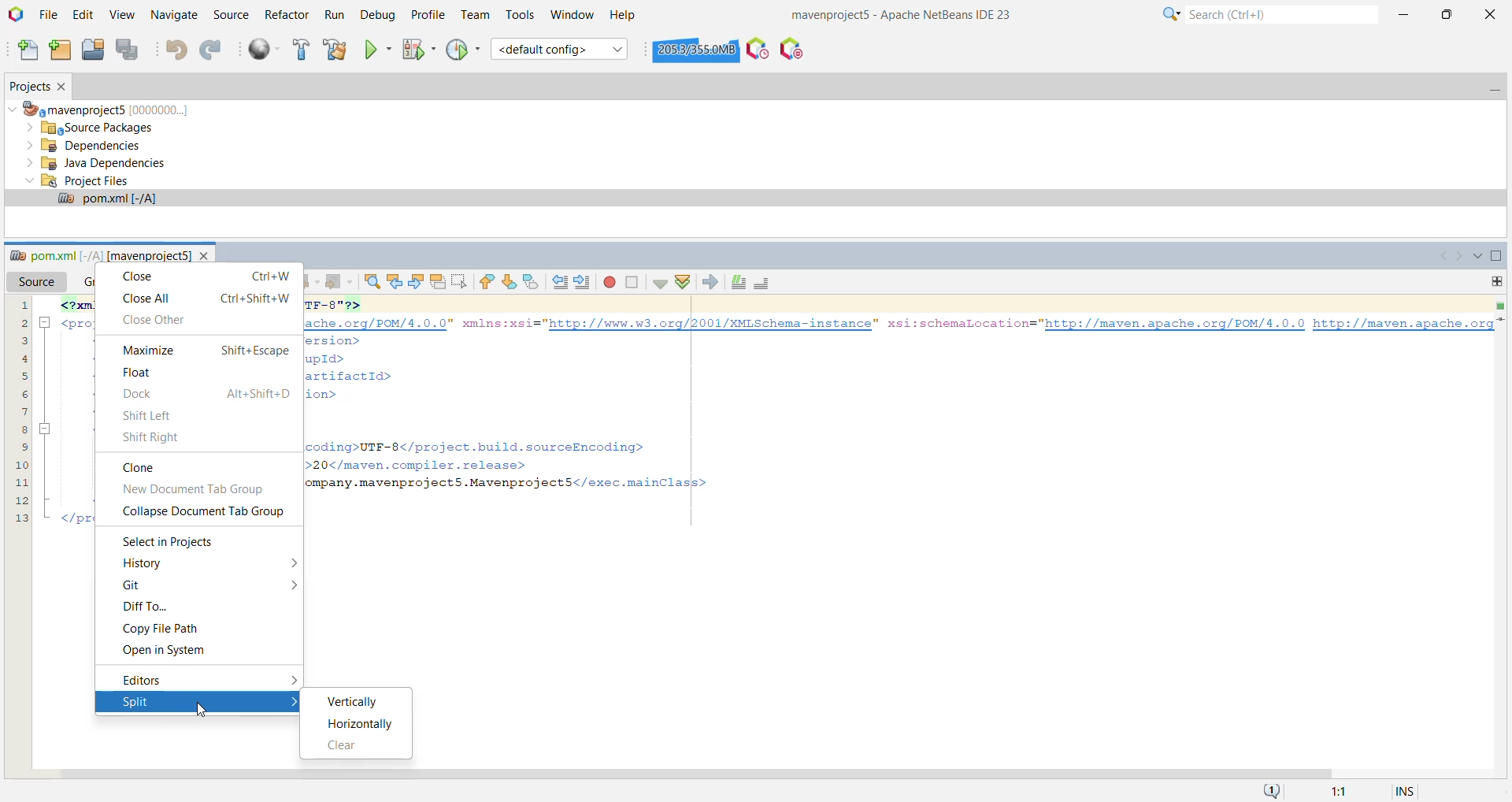 The image size is (1512, 802). What do you see at coordinates (463, 50) in the screenshot?
I see `Profile Project` at bounding box center [463, 50].